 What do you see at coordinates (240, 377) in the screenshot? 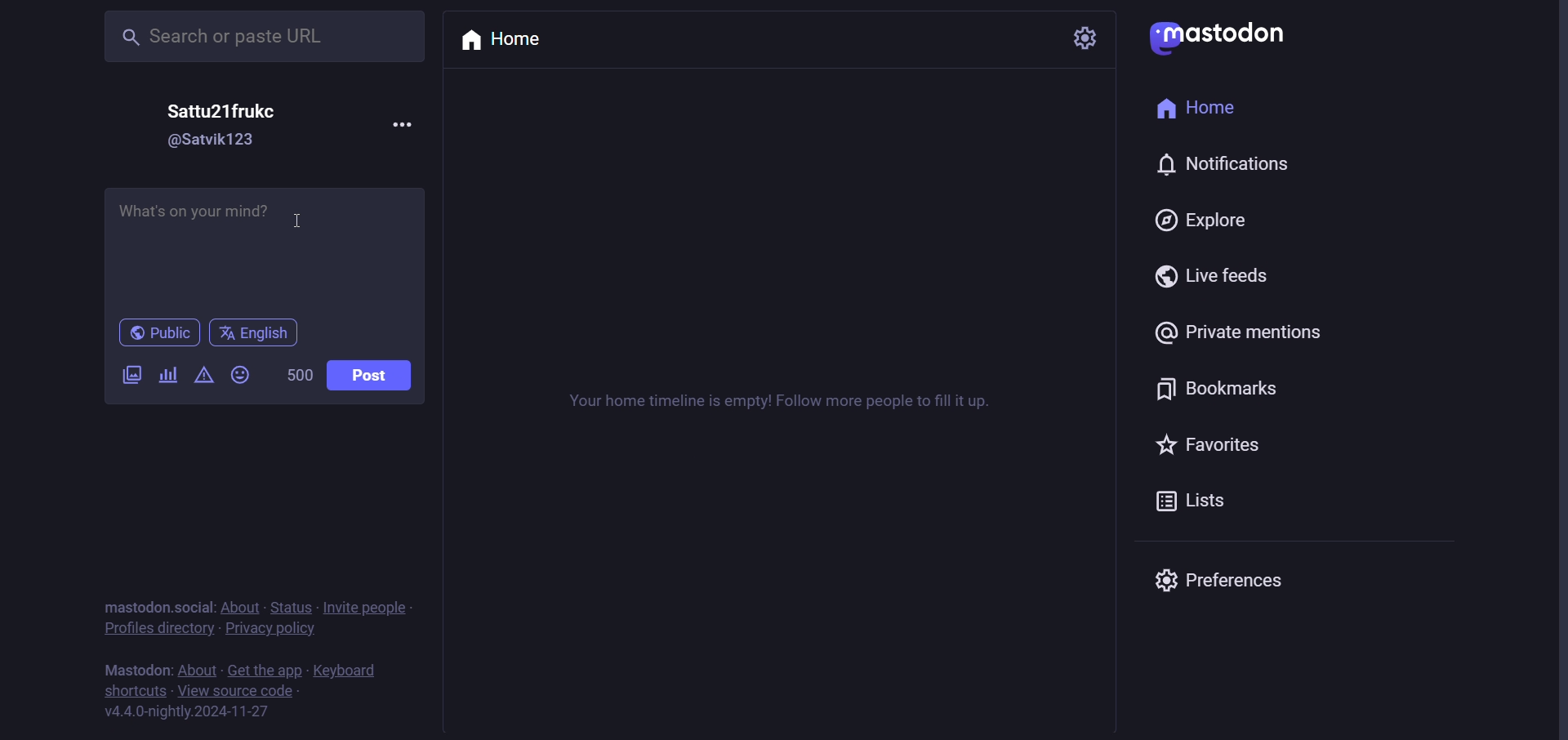
I see `emoji` at bounding box center [240, 377].